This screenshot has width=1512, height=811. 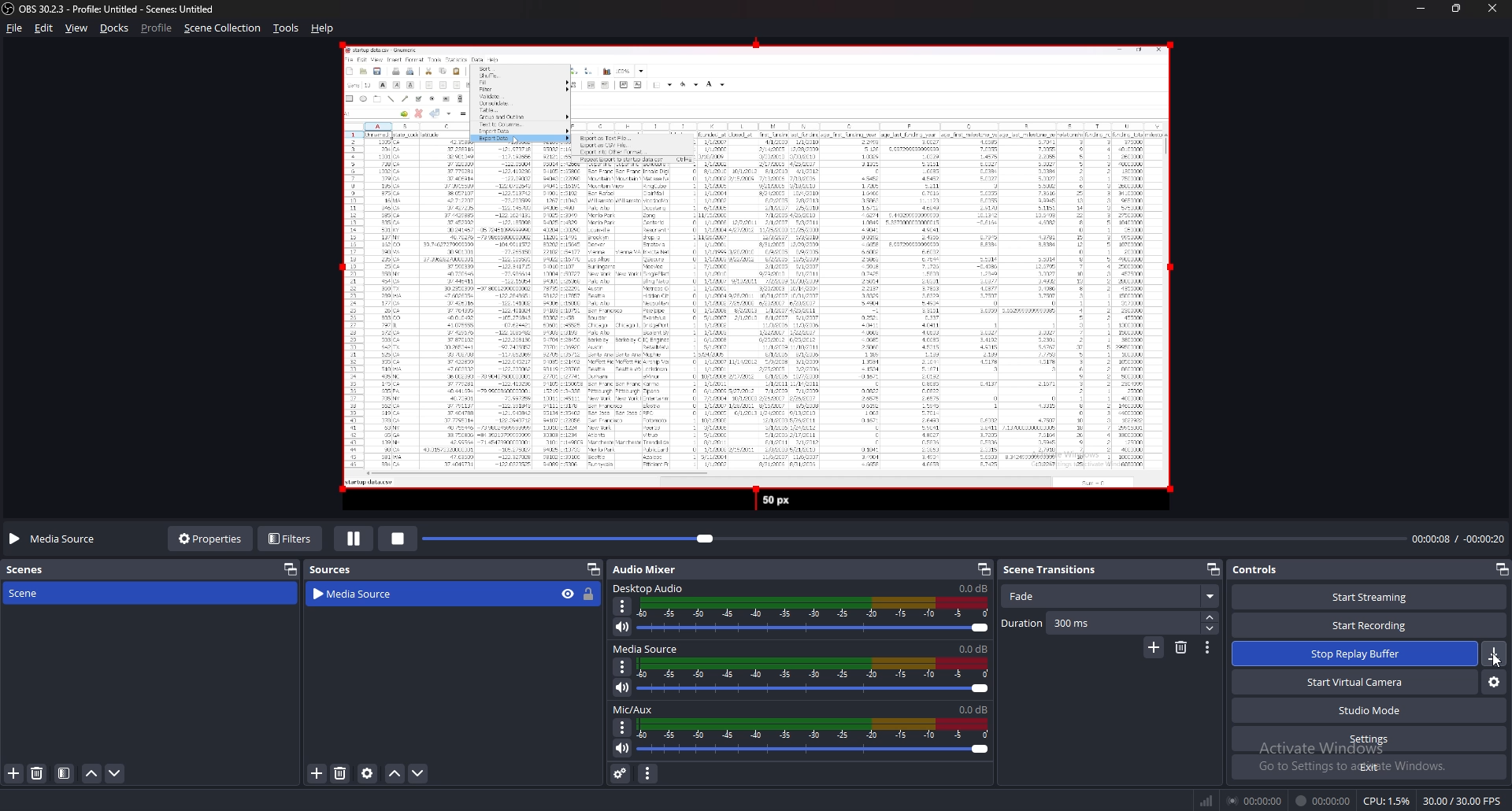 I want to click on mic/aux audio adjust, so click(x=813, y=737).